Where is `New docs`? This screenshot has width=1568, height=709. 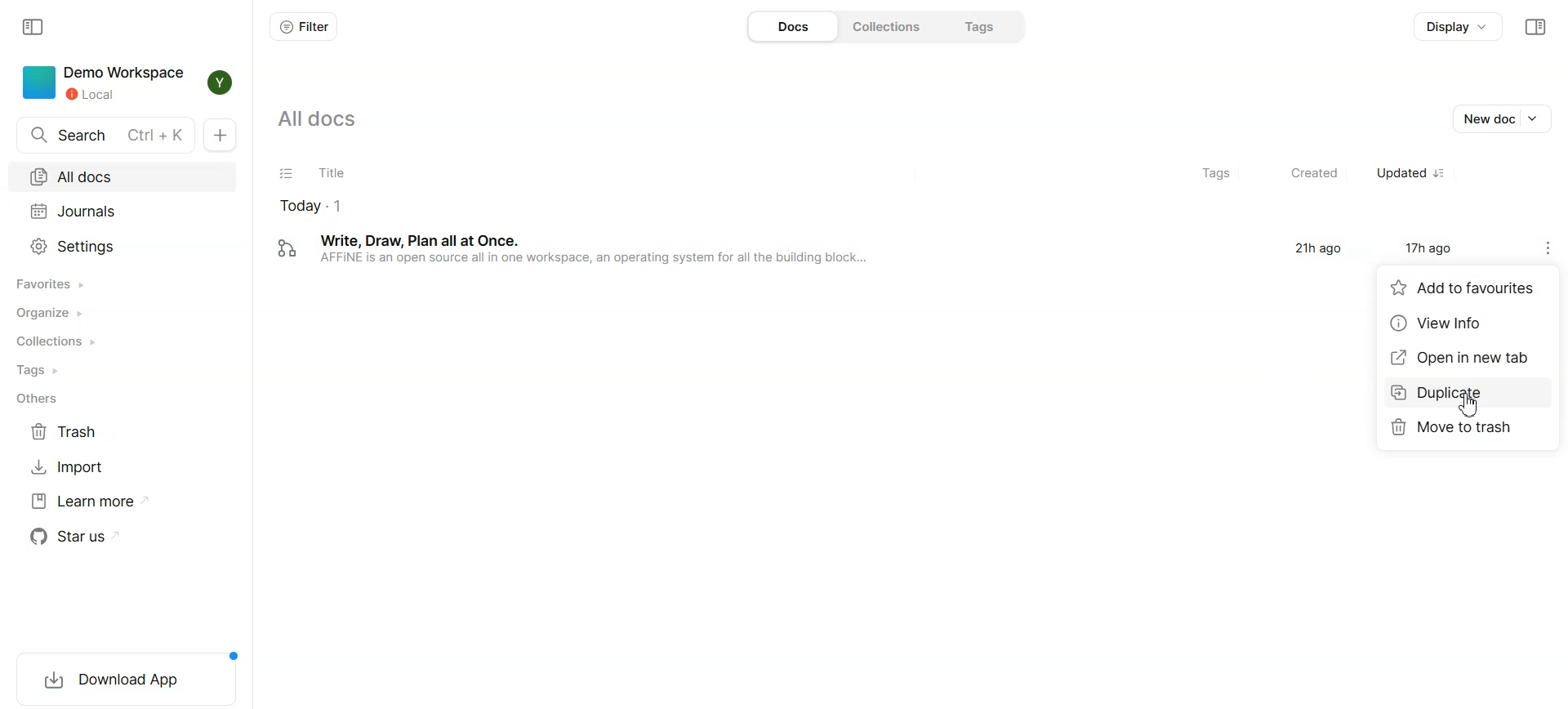 New docs is located at coordinates (220, 135).